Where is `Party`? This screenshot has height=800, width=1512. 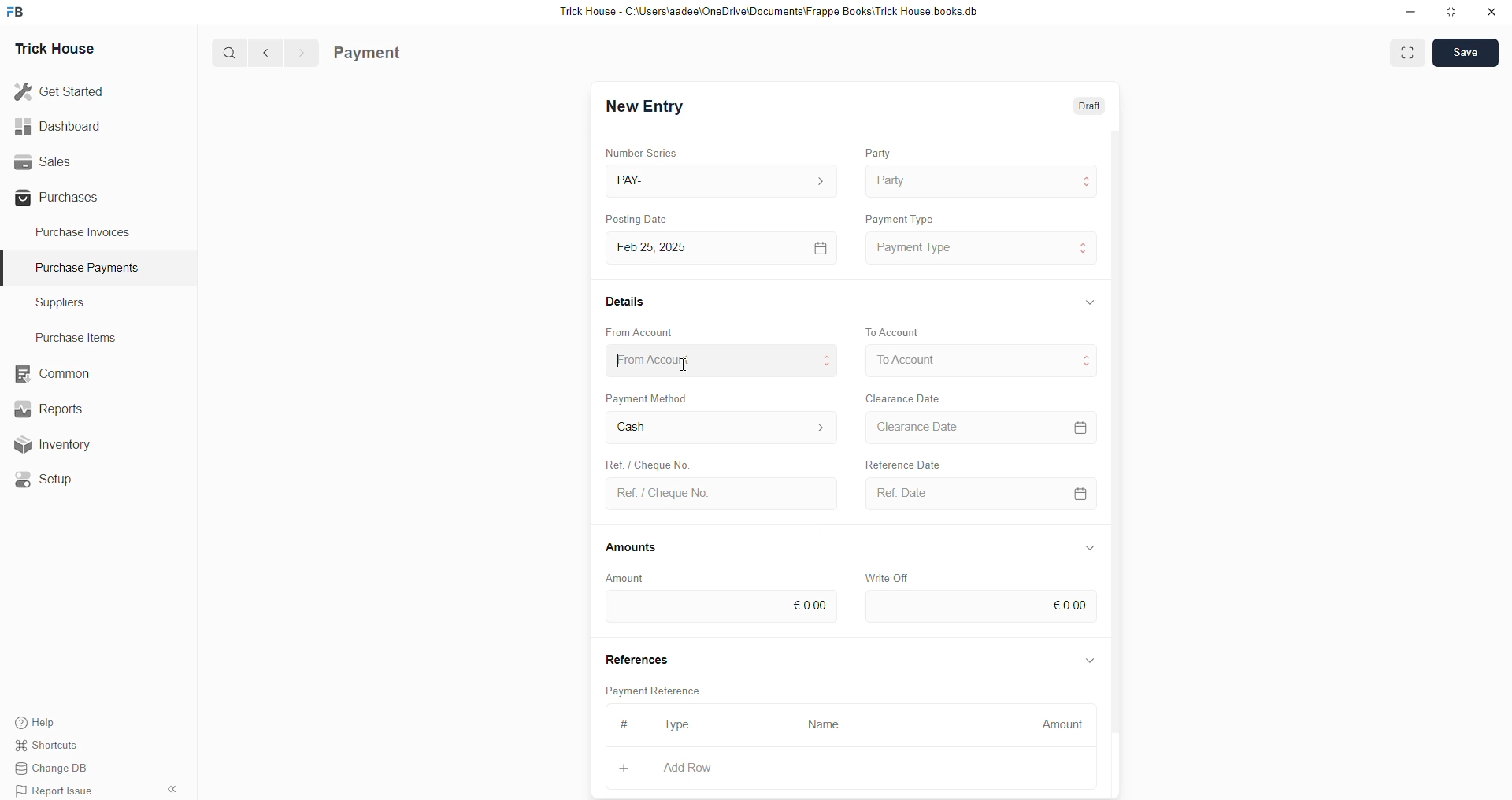 Party is located at coordinates (892, 179).